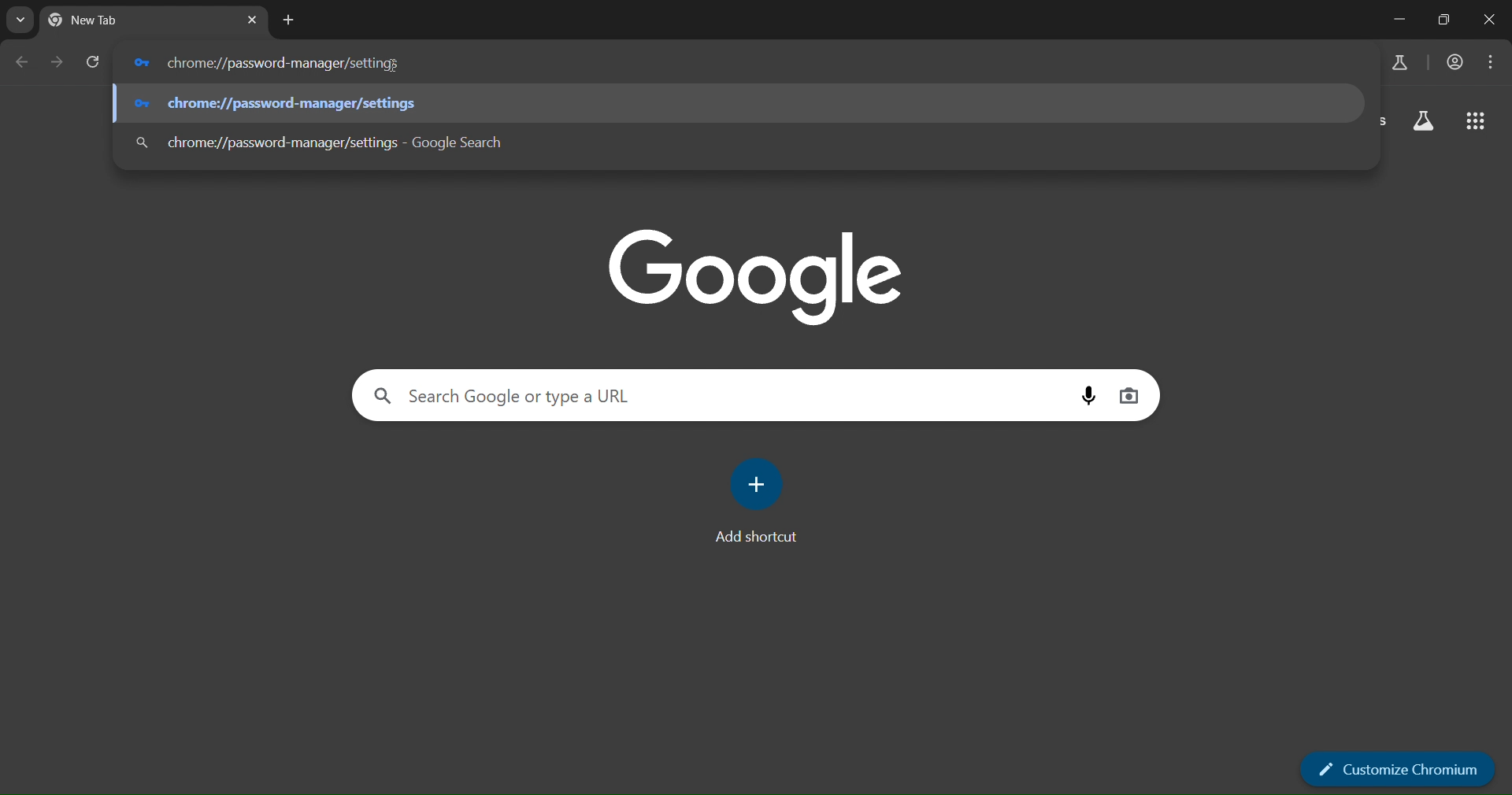  I want to click on search labs, so click(1398, 62).